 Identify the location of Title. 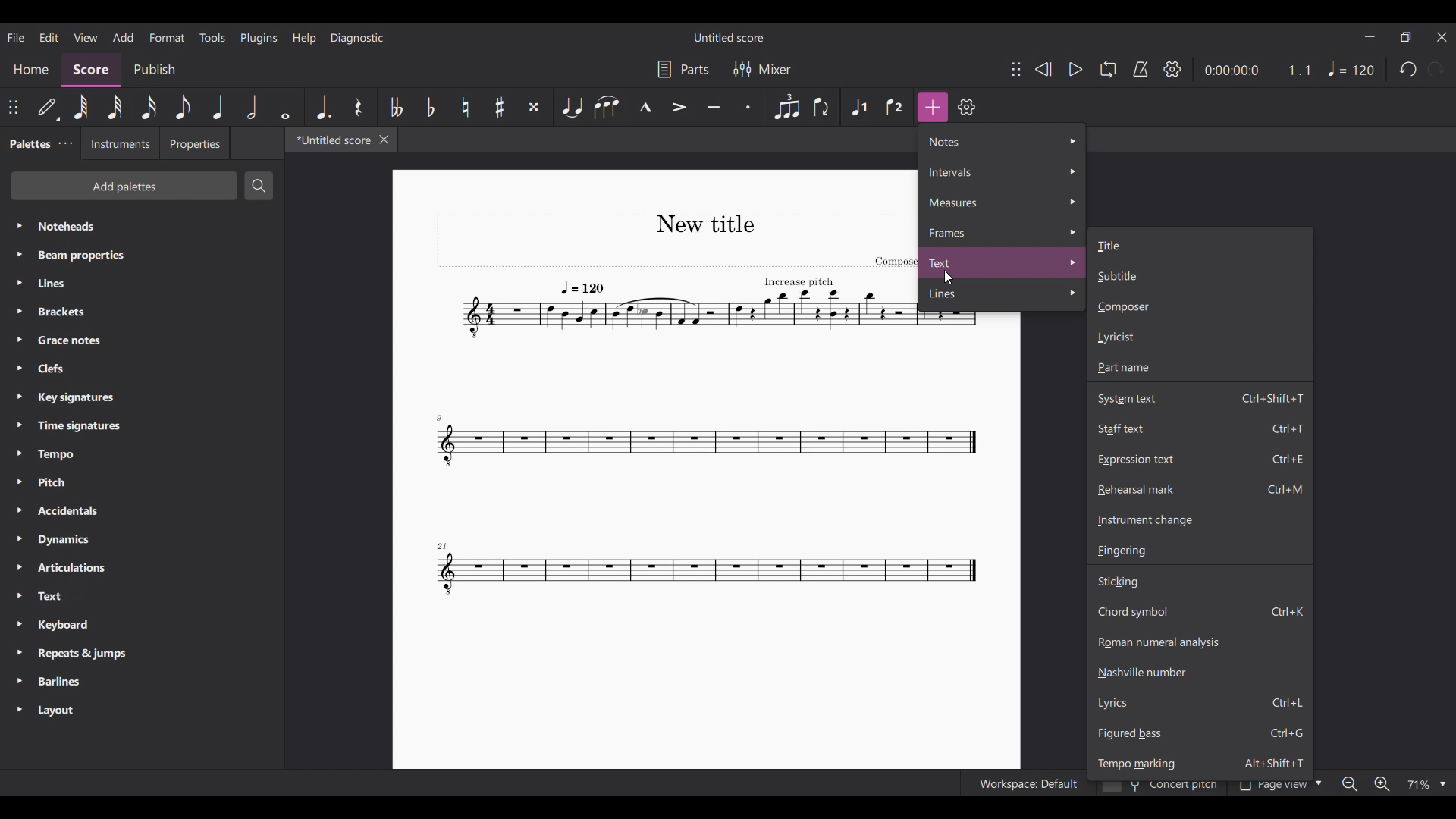
(1202, 243).